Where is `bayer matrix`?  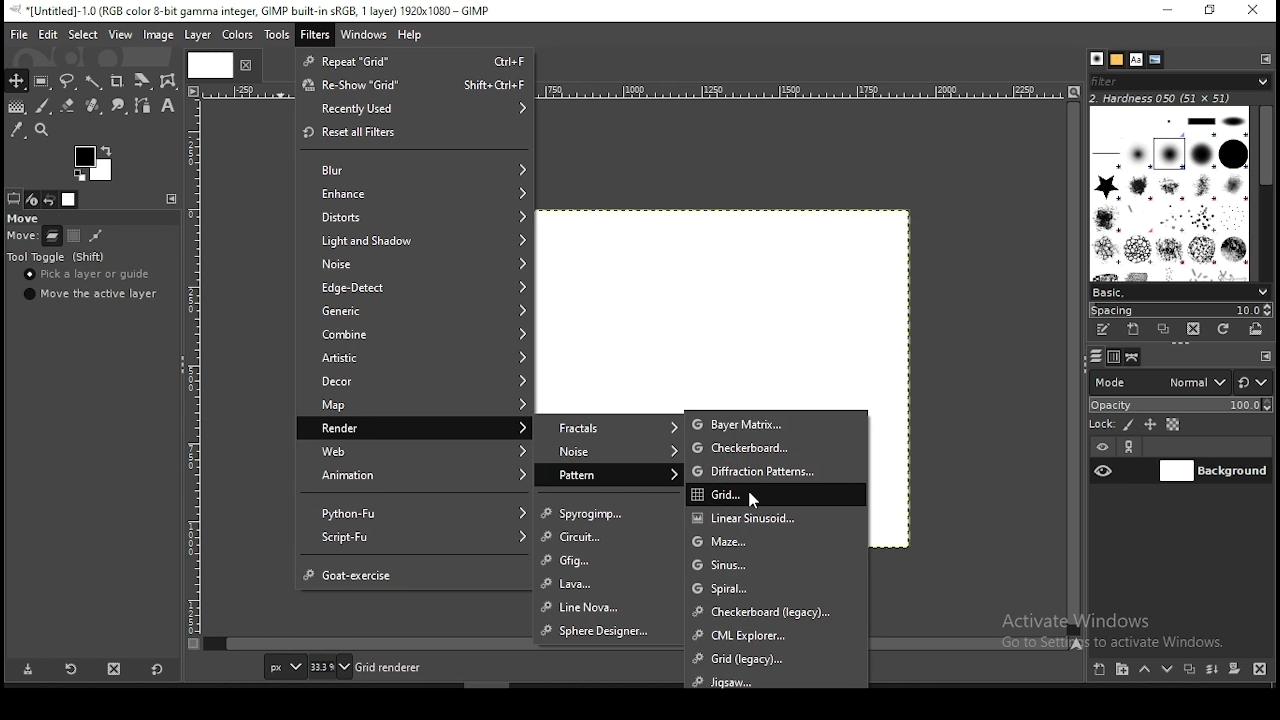
bayer matrix is located at coordinates (776, 423).